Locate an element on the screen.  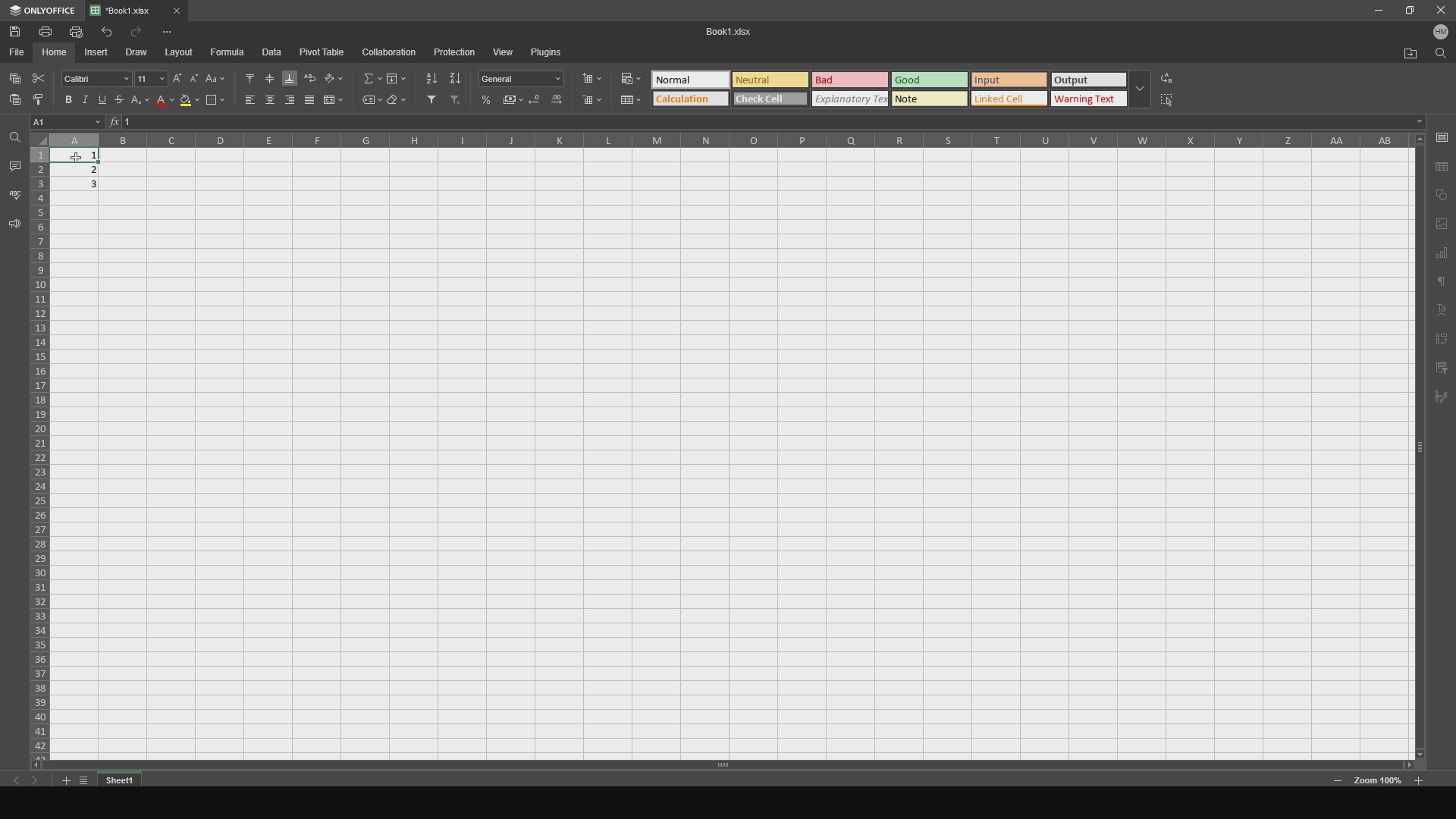
 is located at coordinates (556, 103).